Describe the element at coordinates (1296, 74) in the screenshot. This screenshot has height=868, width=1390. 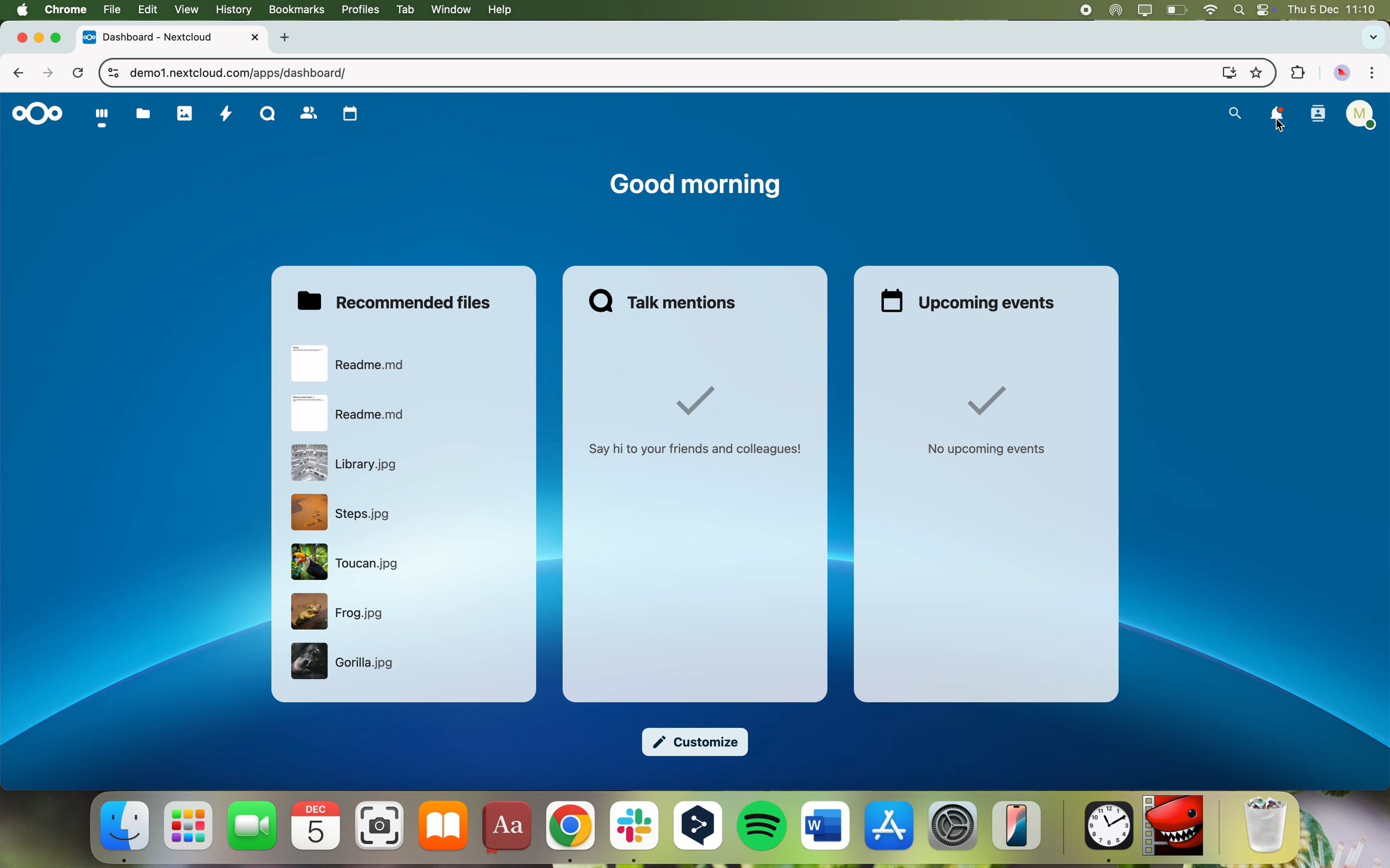
I see `extensions` at that location.